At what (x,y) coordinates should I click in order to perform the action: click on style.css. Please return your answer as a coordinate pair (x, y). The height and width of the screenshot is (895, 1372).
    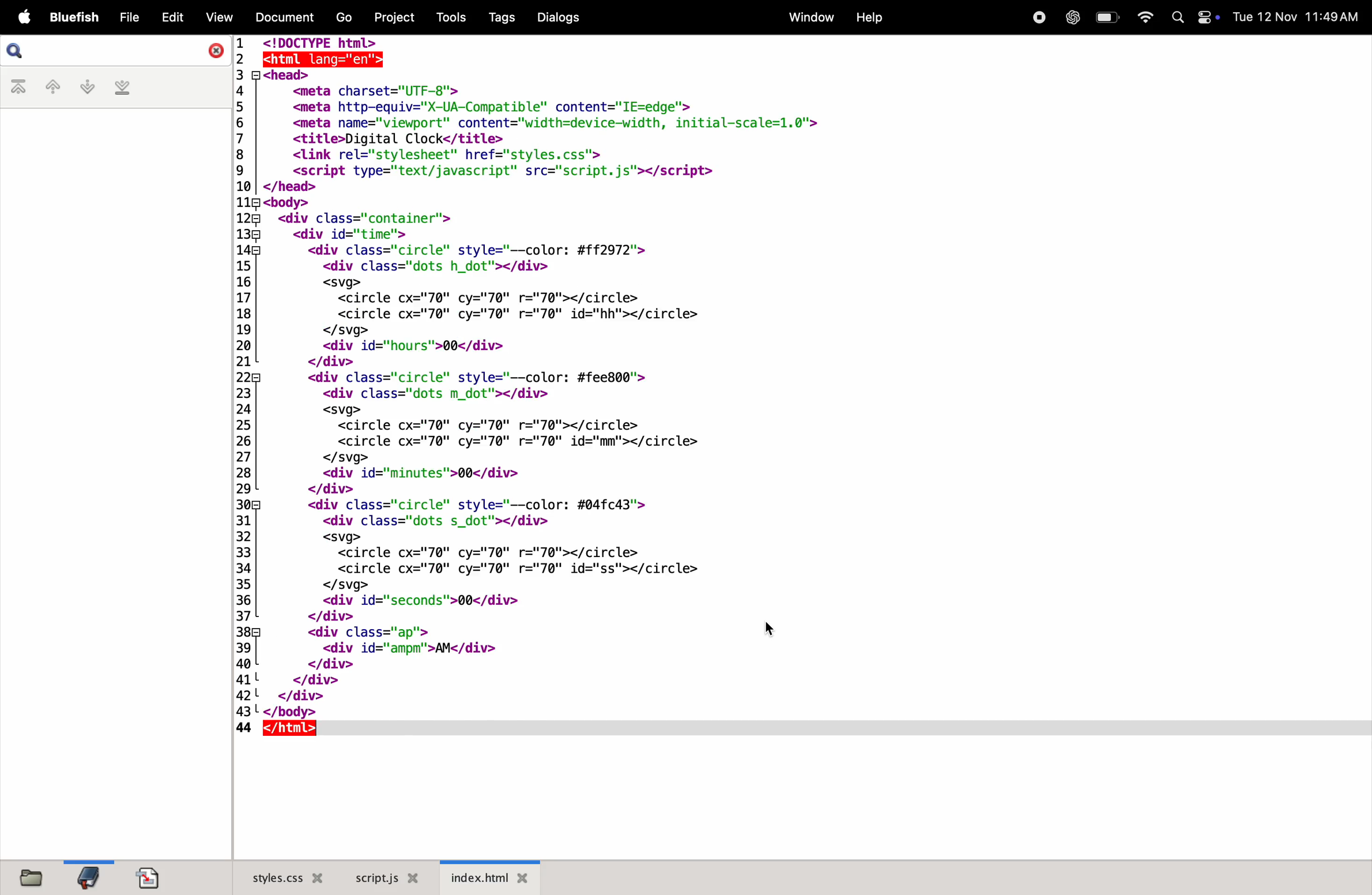
    Looking at the image, I should click on (281, 876).